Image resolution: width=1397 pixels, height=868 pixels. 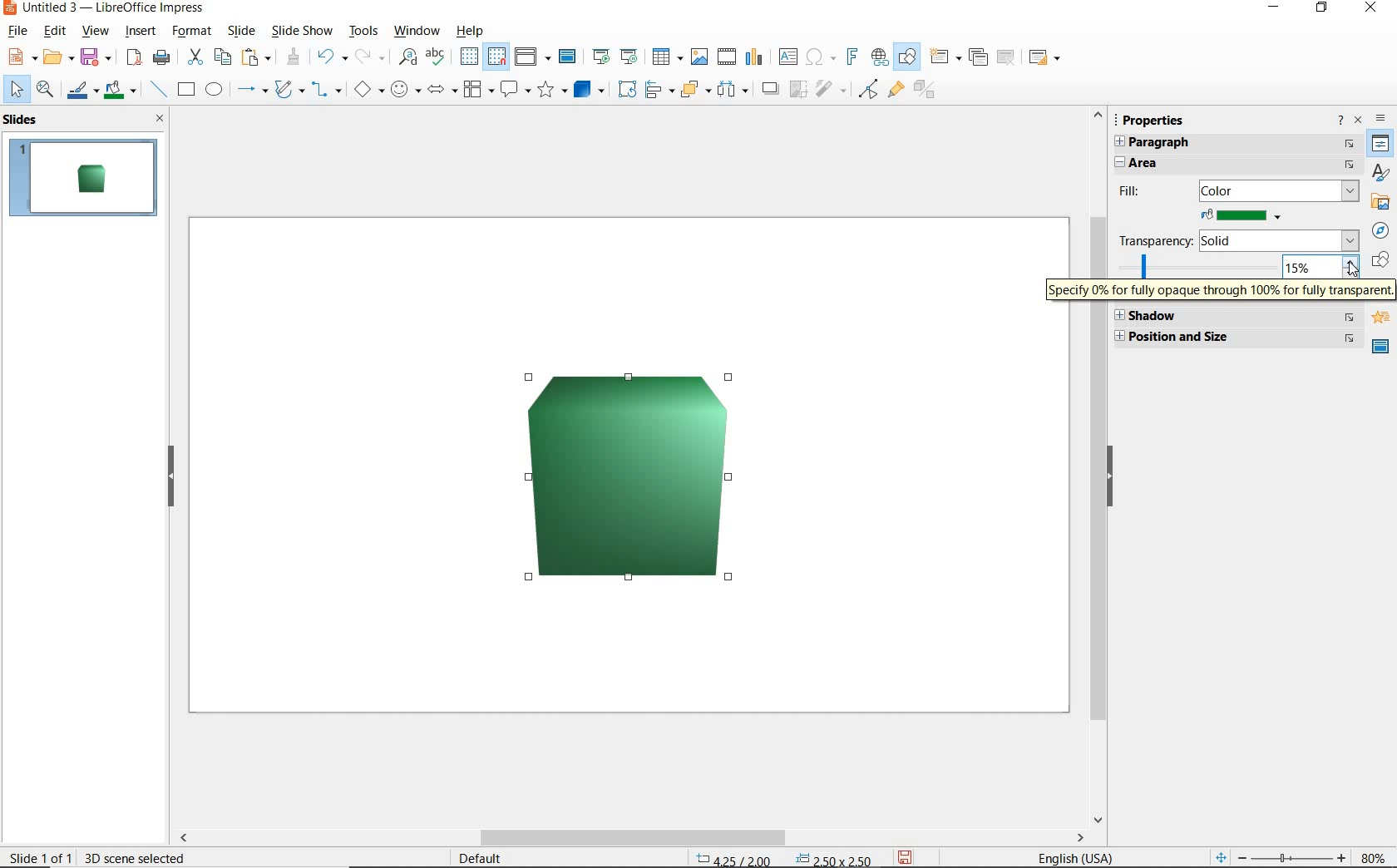 I want to click on TOGGLE POINT EDIT MODE, so click(x=867, y=89).